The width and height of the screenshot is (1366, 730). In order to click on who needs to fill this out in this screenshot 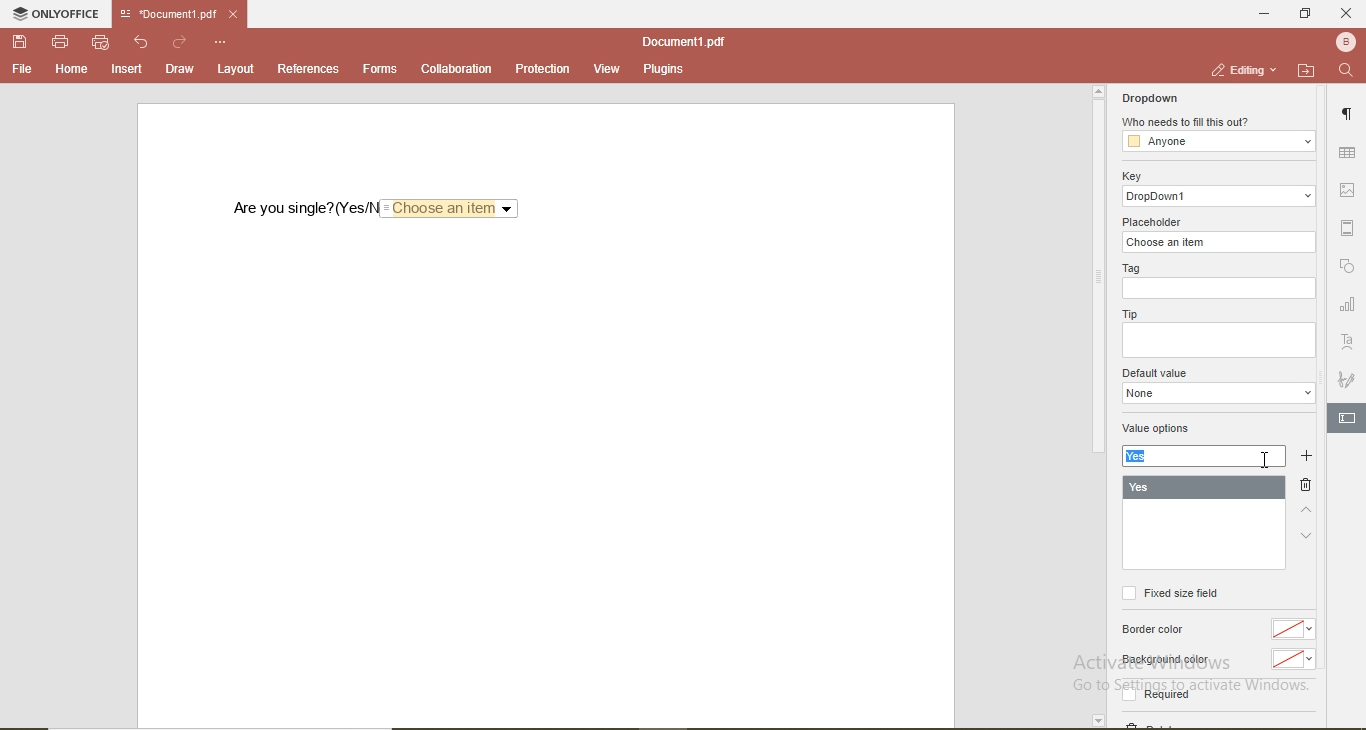, I will do `click(1188, 122)`.